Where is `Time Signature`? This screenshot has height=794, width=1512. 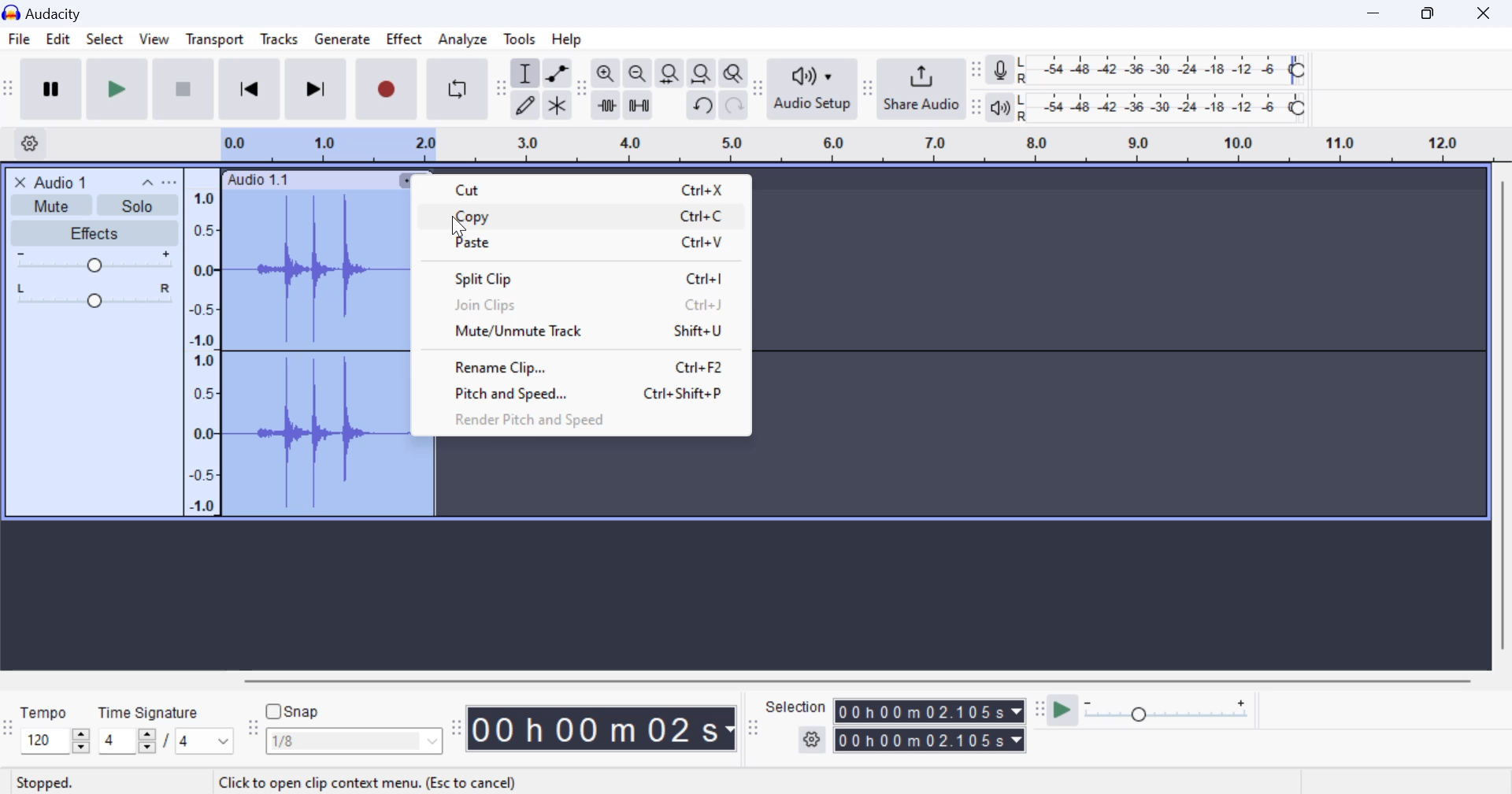
Time Signature is located at coordinates (150, 710).